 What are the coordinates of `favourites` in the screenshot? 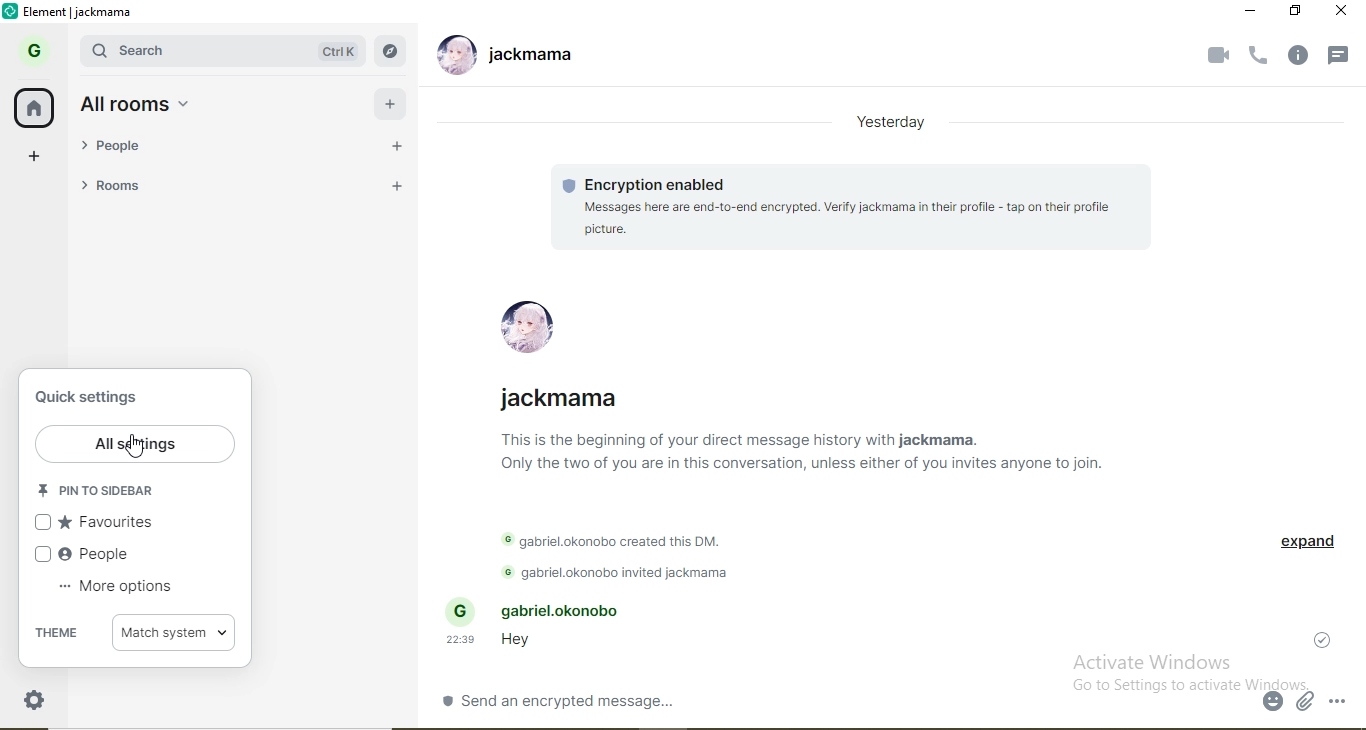 It's located at (110, 522).